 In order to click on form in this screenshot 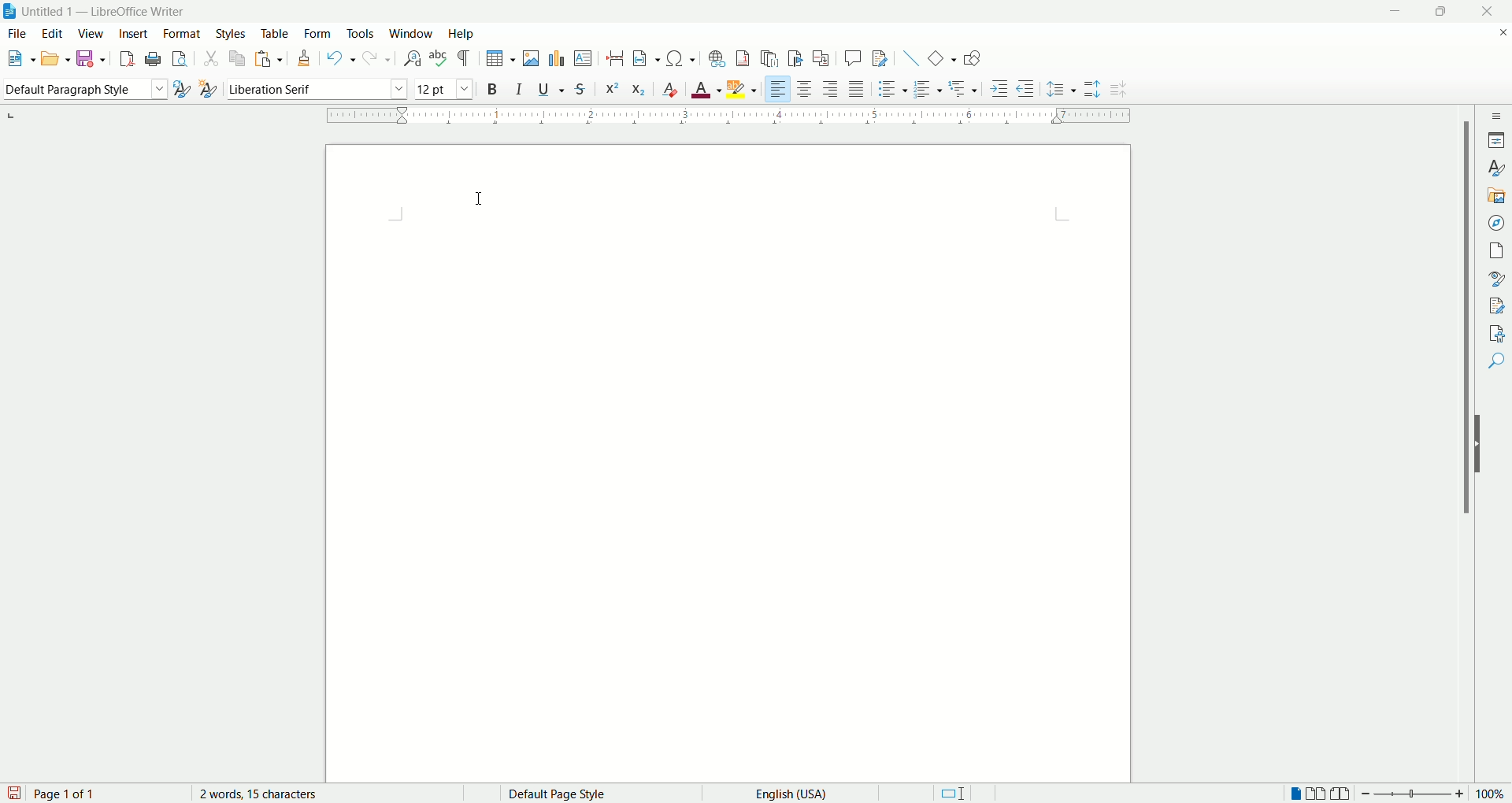, I will do `click(316, 33)`.